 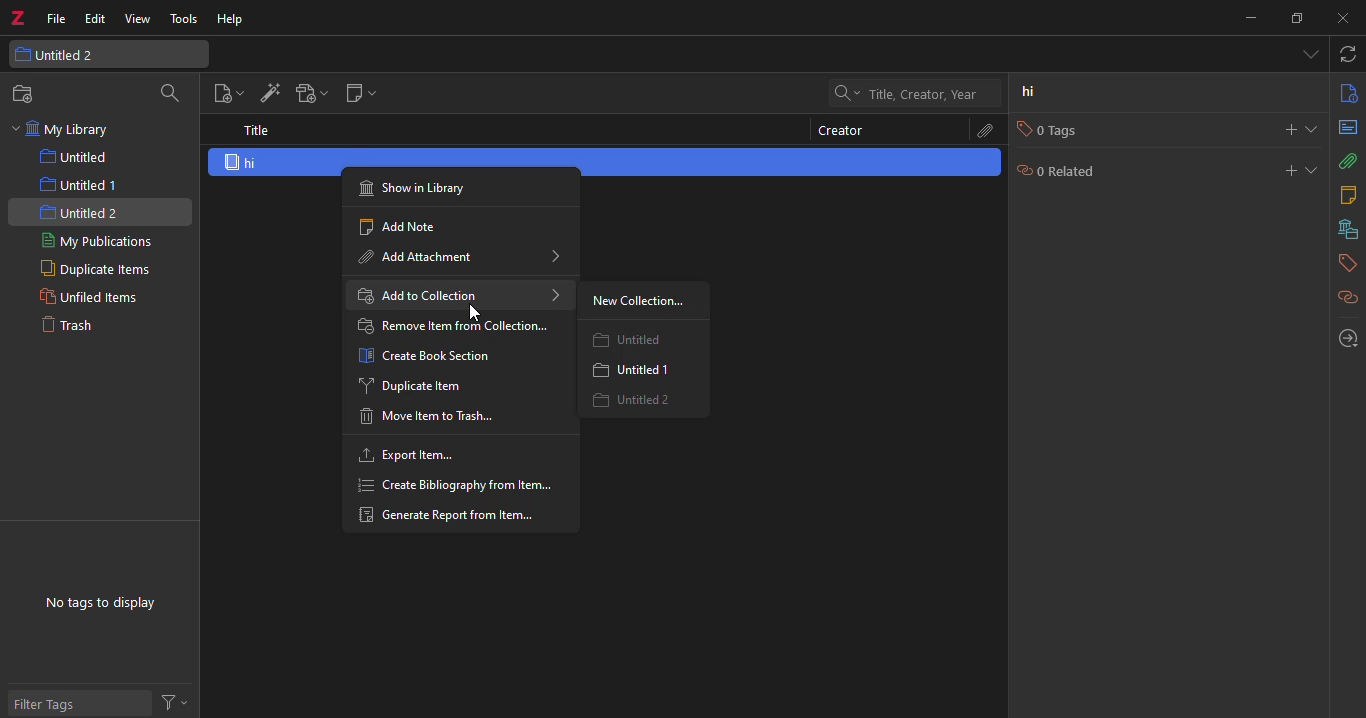 I want to click on create book Section, so click(x=423, y=355).